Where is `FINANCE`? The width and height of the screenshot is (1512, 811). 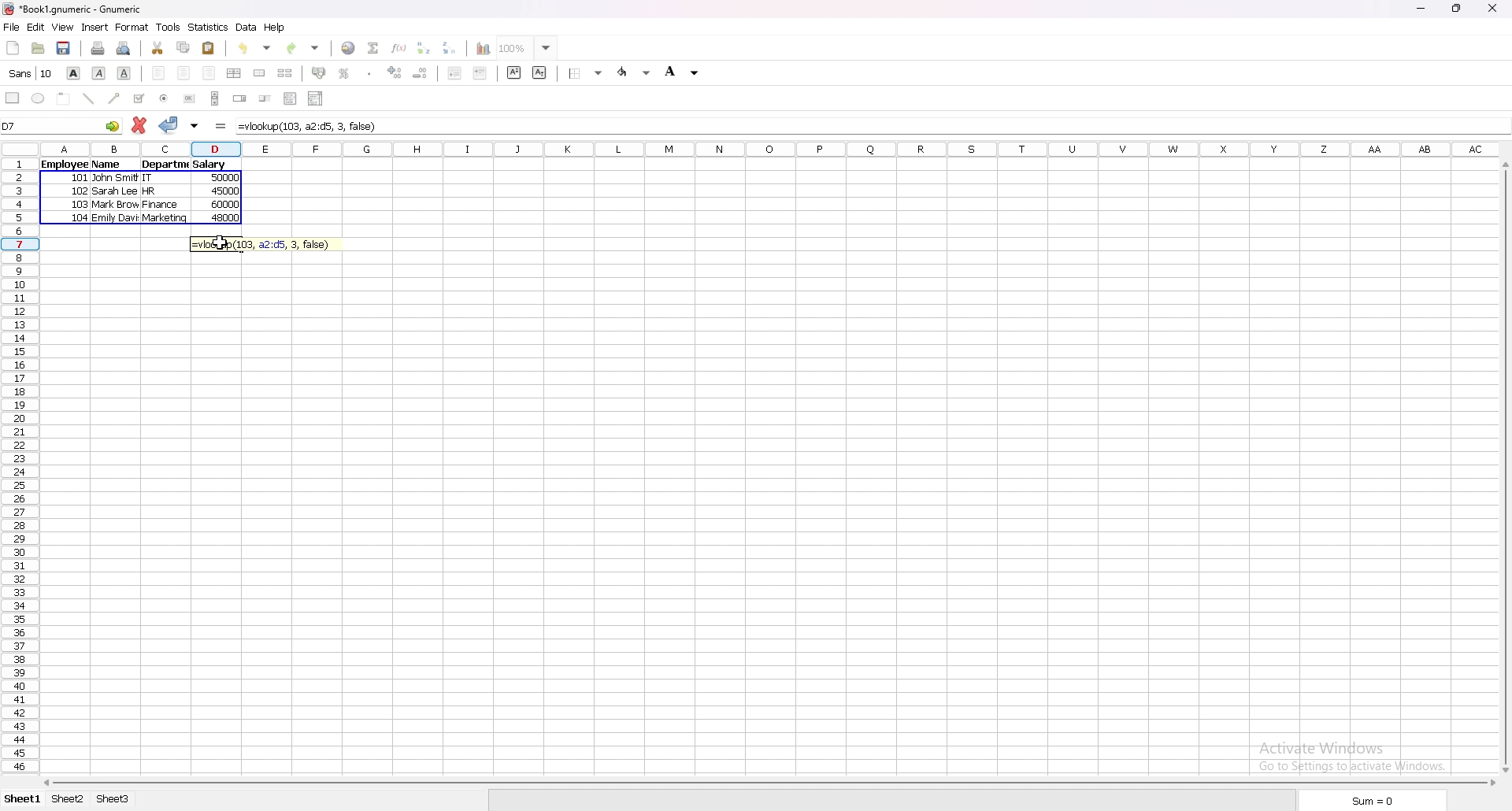
FINANCE is located at coordinates (165, 206).